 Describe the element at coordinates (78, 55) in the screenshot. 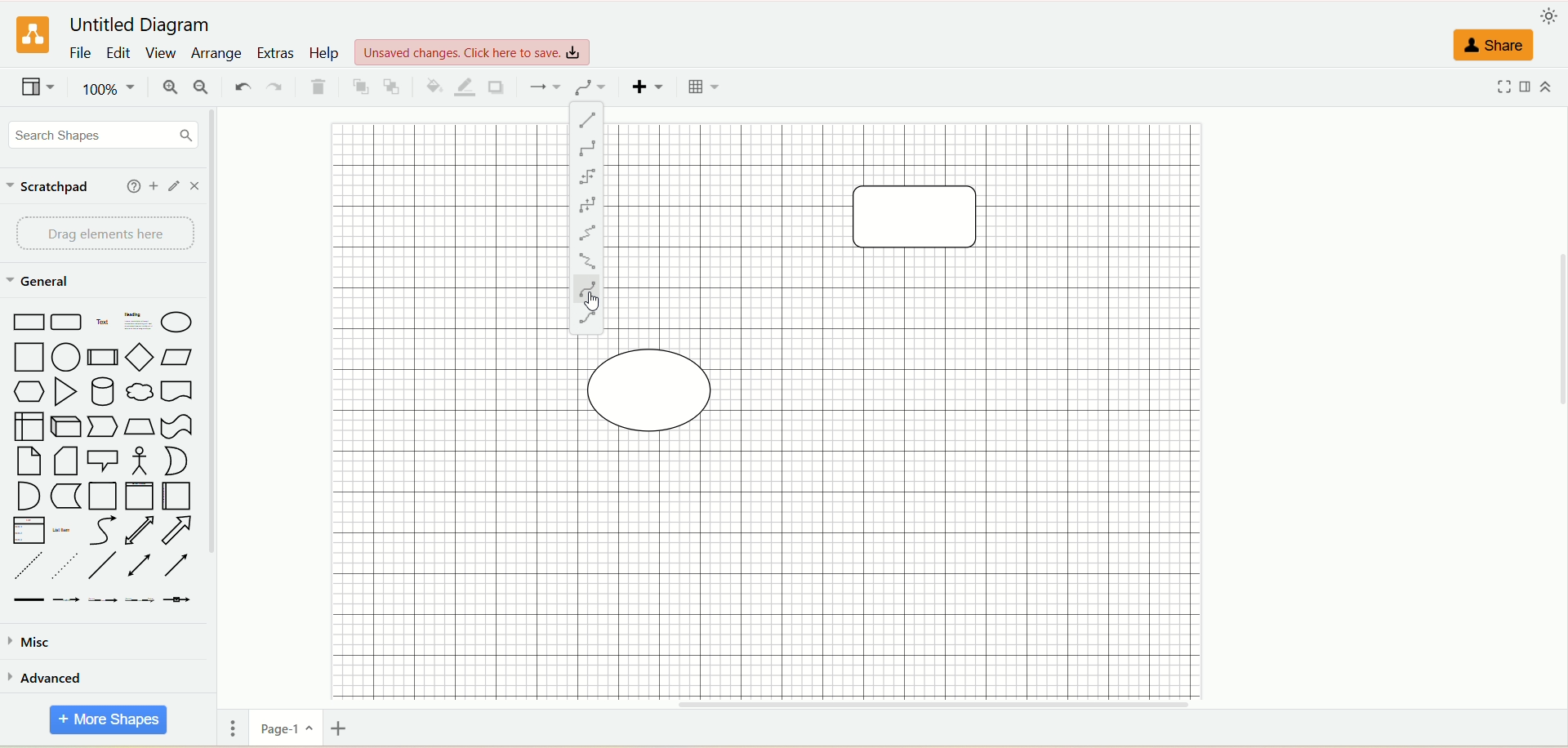

I see `file` at that location.